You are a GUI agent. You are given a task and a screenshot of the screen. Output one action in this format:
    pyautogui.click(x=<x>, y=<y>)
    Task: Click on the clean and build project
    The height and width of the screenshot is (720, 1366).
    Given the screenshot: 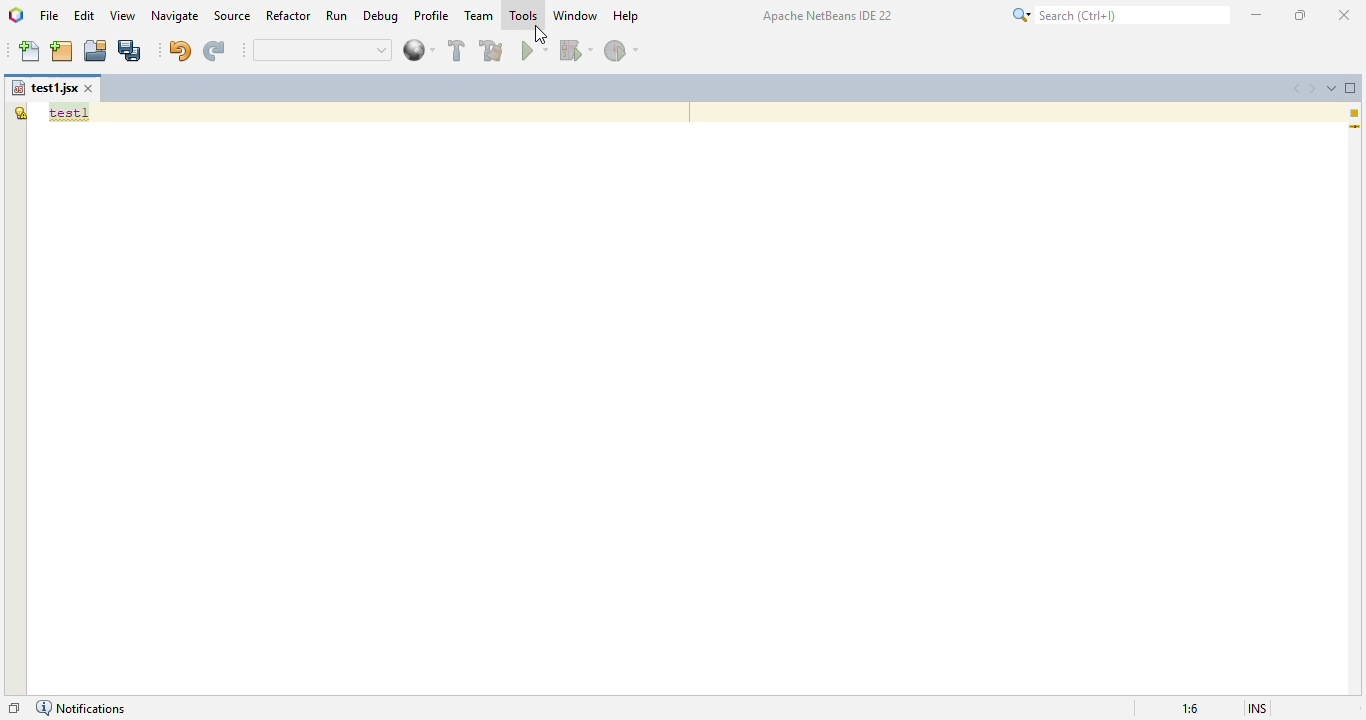 What is the action you would take?
    pyautogui.click(x=491, y=50)
    